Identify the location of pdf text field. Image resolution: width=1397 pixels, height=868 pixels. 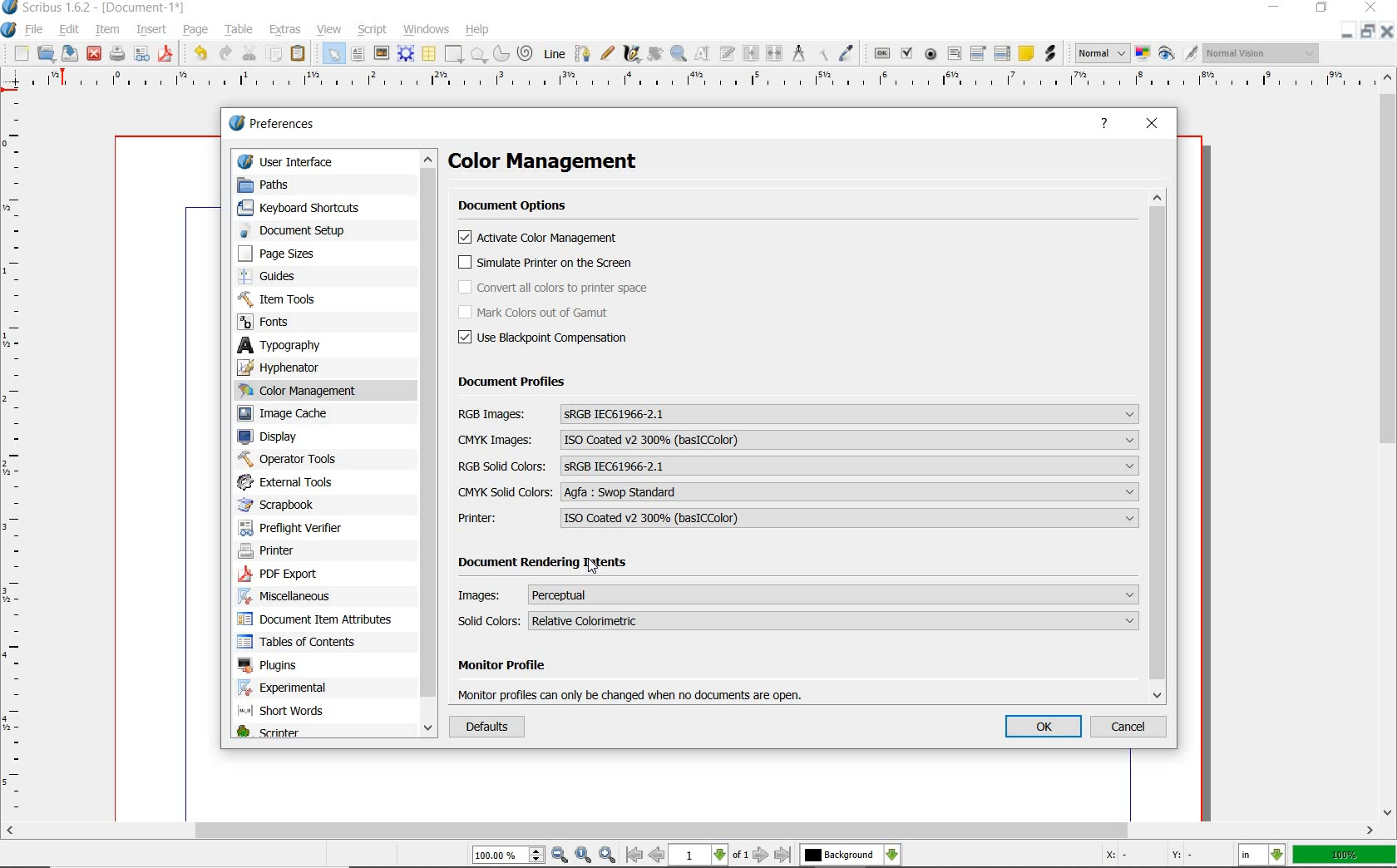
(954, 53).